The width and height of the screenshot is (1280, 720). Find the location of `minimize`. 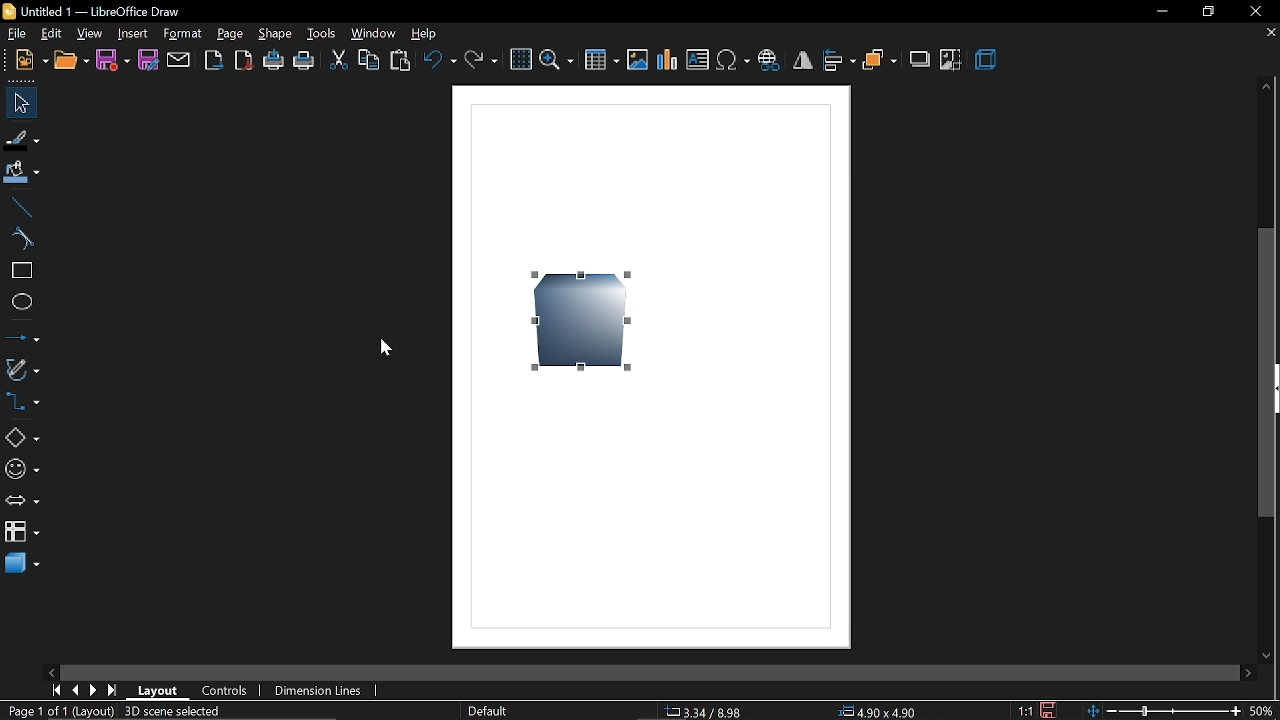

minimize is located at coordinates (1162, 13).